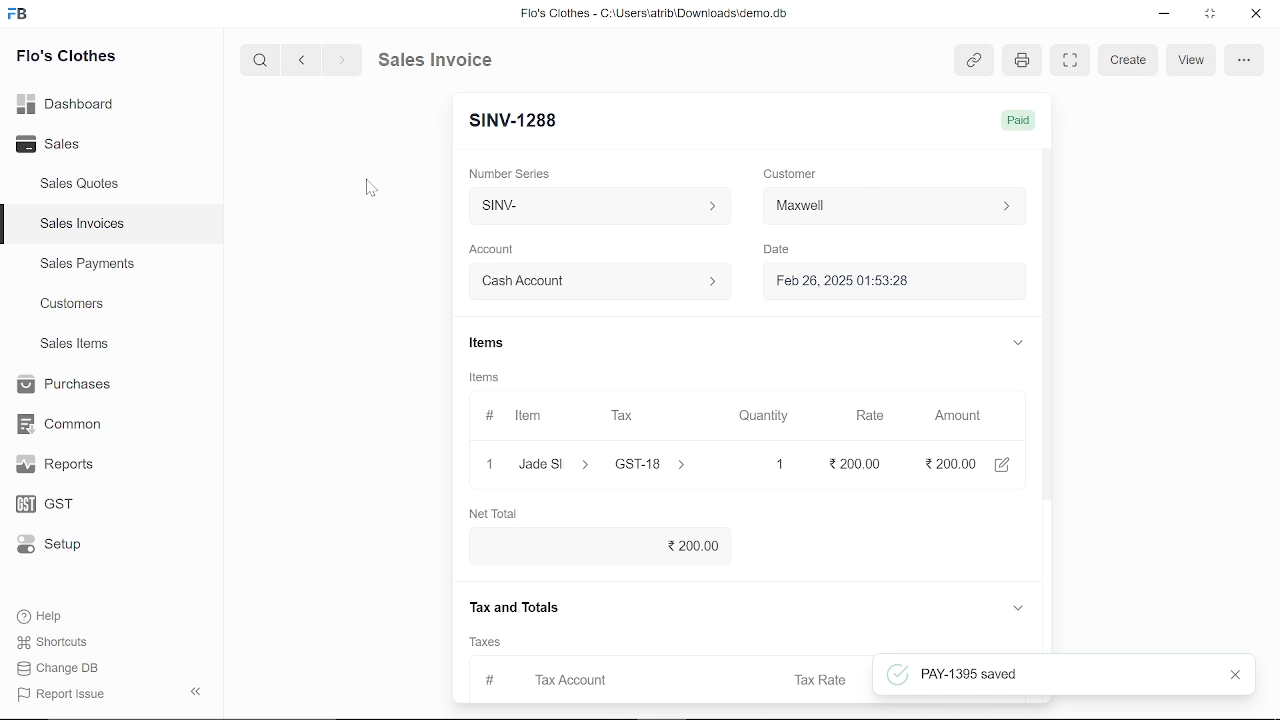 The height and width of the screenshot is (720, 1280). I want to click on edit account, so click(1006, 463).